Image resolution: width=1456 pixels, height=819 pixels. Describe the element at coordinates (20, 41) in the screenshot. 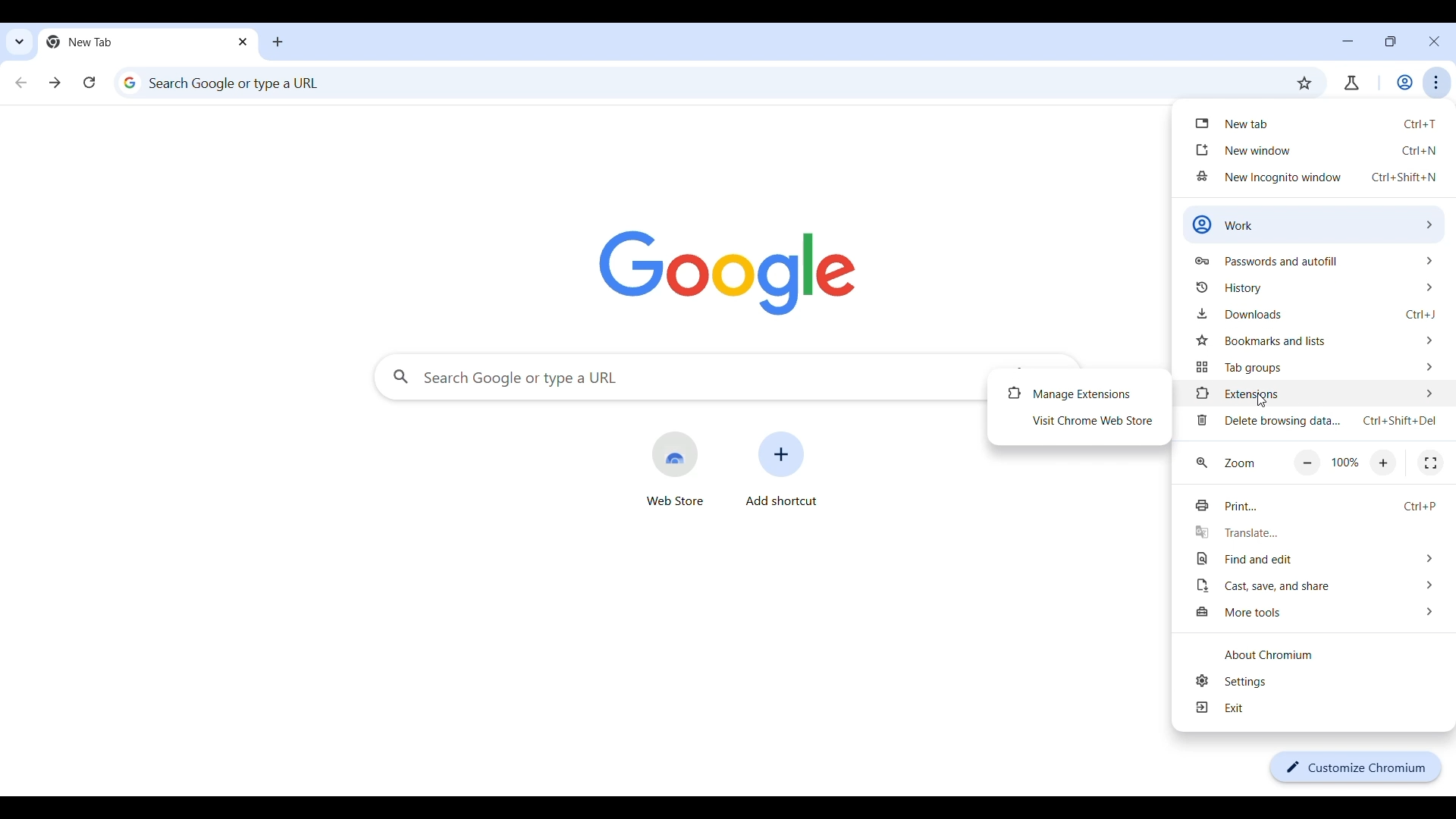

I see `Quick search tabs` at that location.